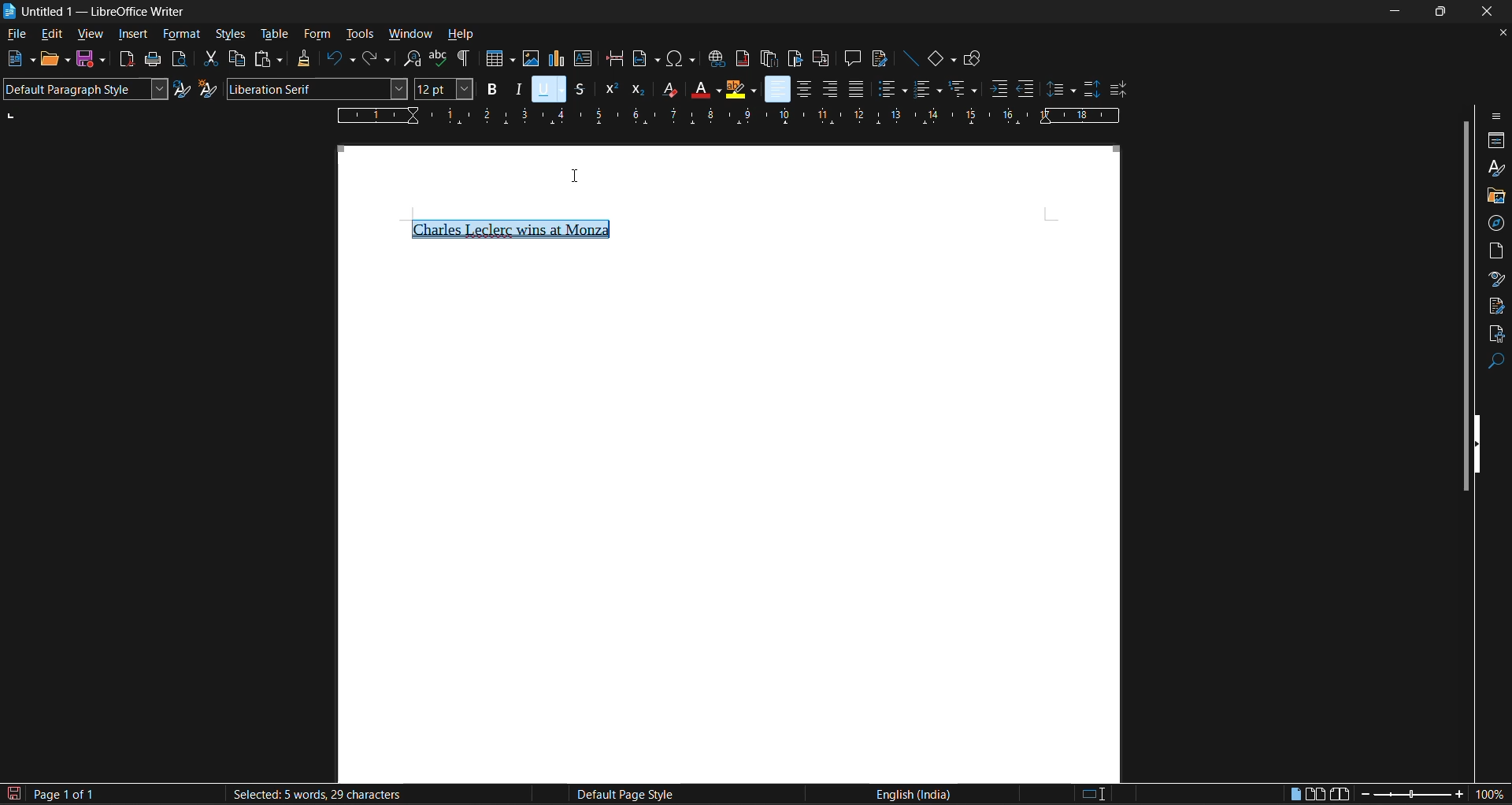  I want to click on insert field, so click(645, 60).